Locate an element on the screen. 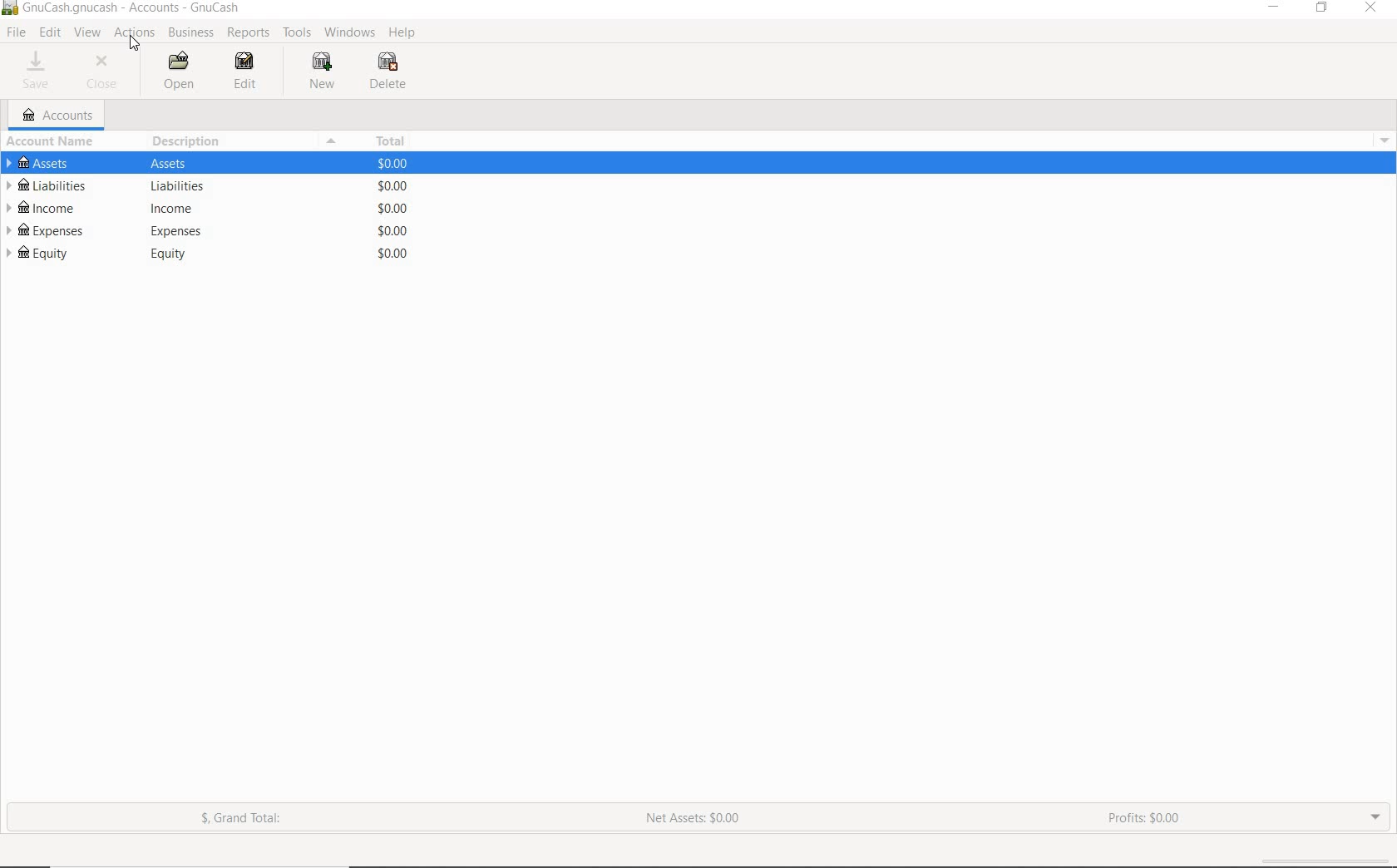 This screenshot has height=868, width=1397. LIABILITIES is located at coordinates (210, 185).